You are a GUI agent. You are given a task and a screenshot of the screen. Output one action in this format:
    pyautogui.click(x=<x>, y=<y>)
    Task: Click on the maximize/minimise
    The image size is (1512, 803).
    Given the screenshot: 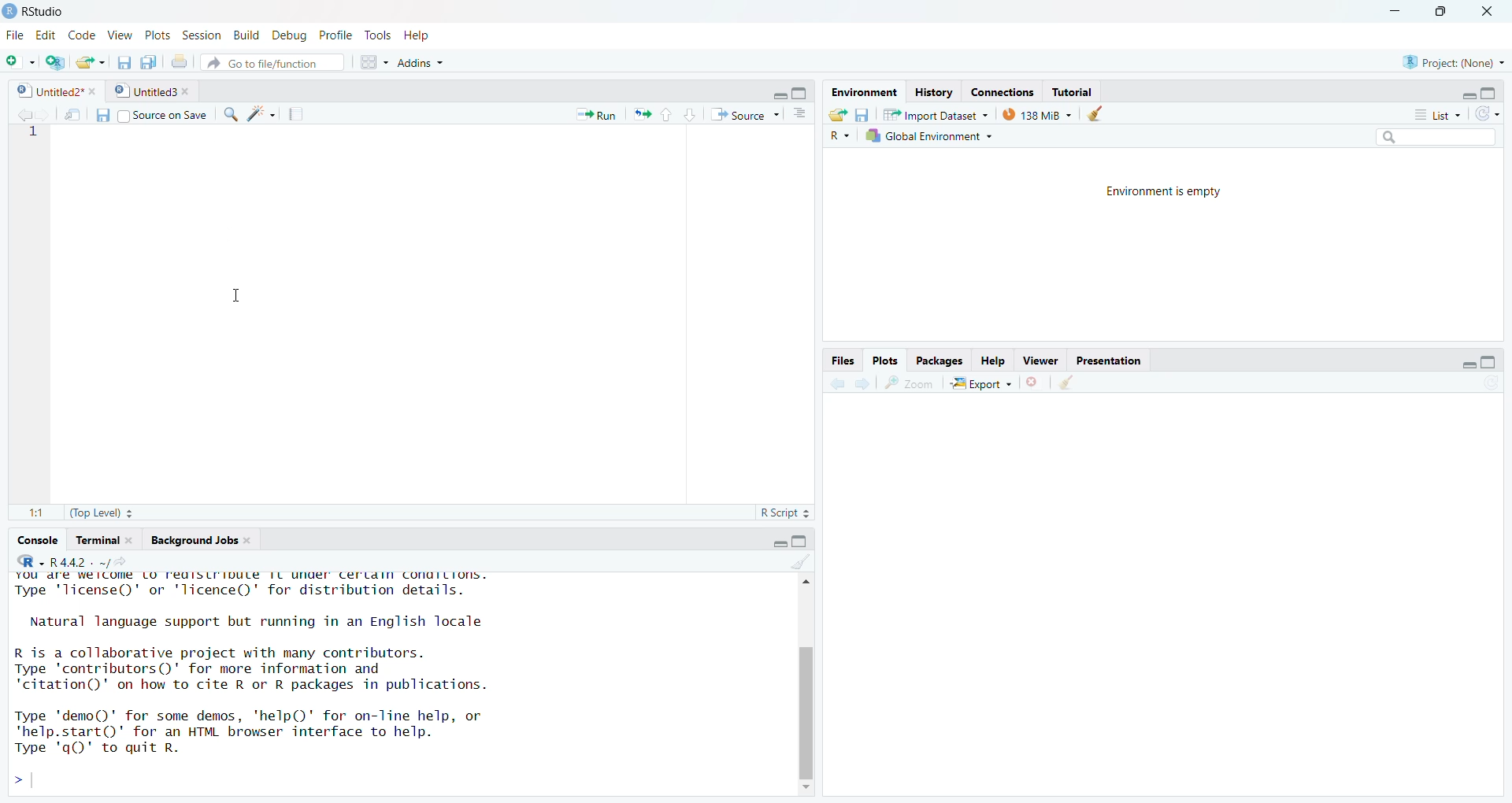 What is the action you would take?
    pyautogui.click(x=795, y=543)
    